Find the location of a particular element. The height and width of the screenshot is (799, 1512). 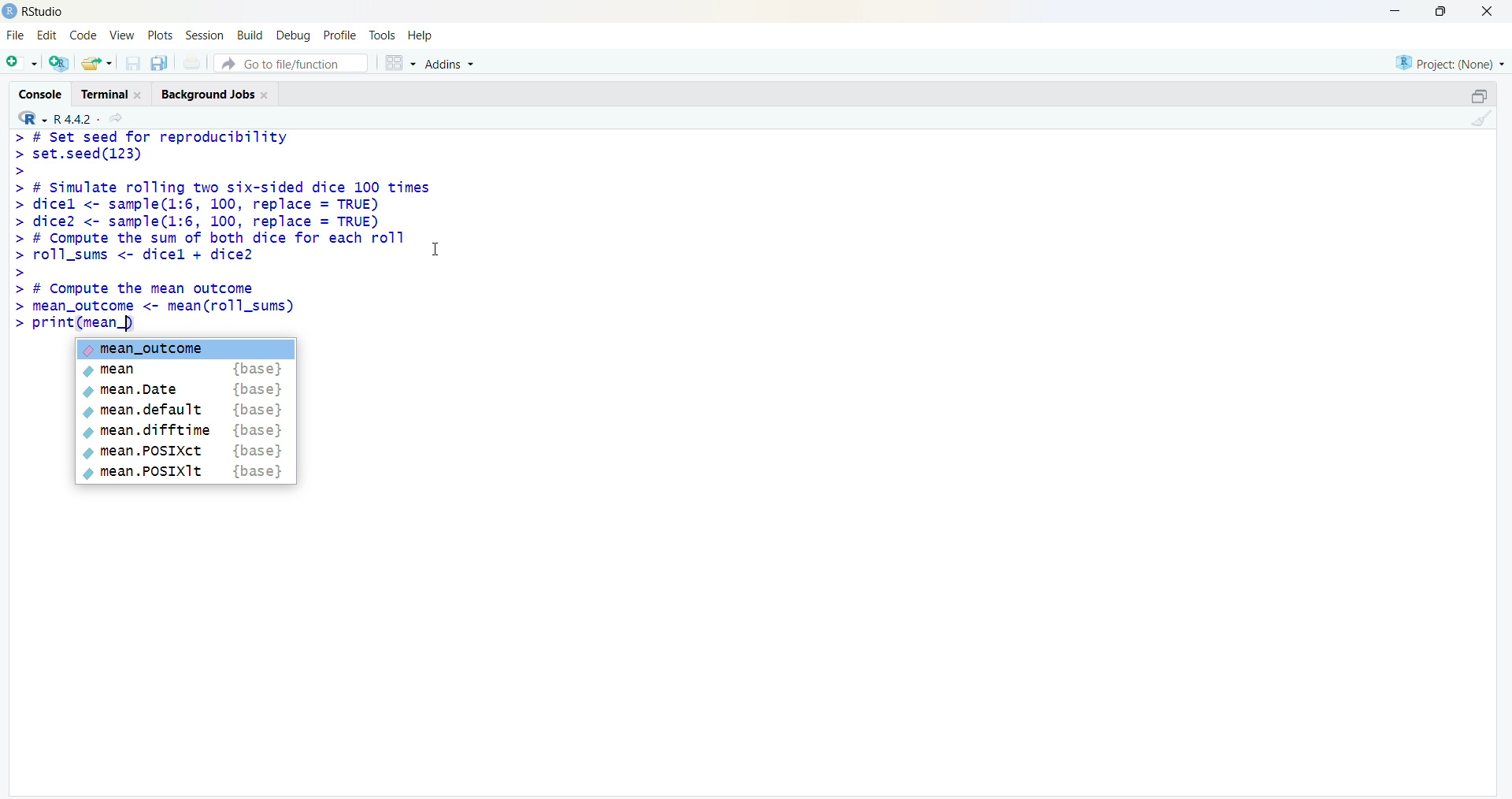

share folder as is located at coordinates (96, 63).